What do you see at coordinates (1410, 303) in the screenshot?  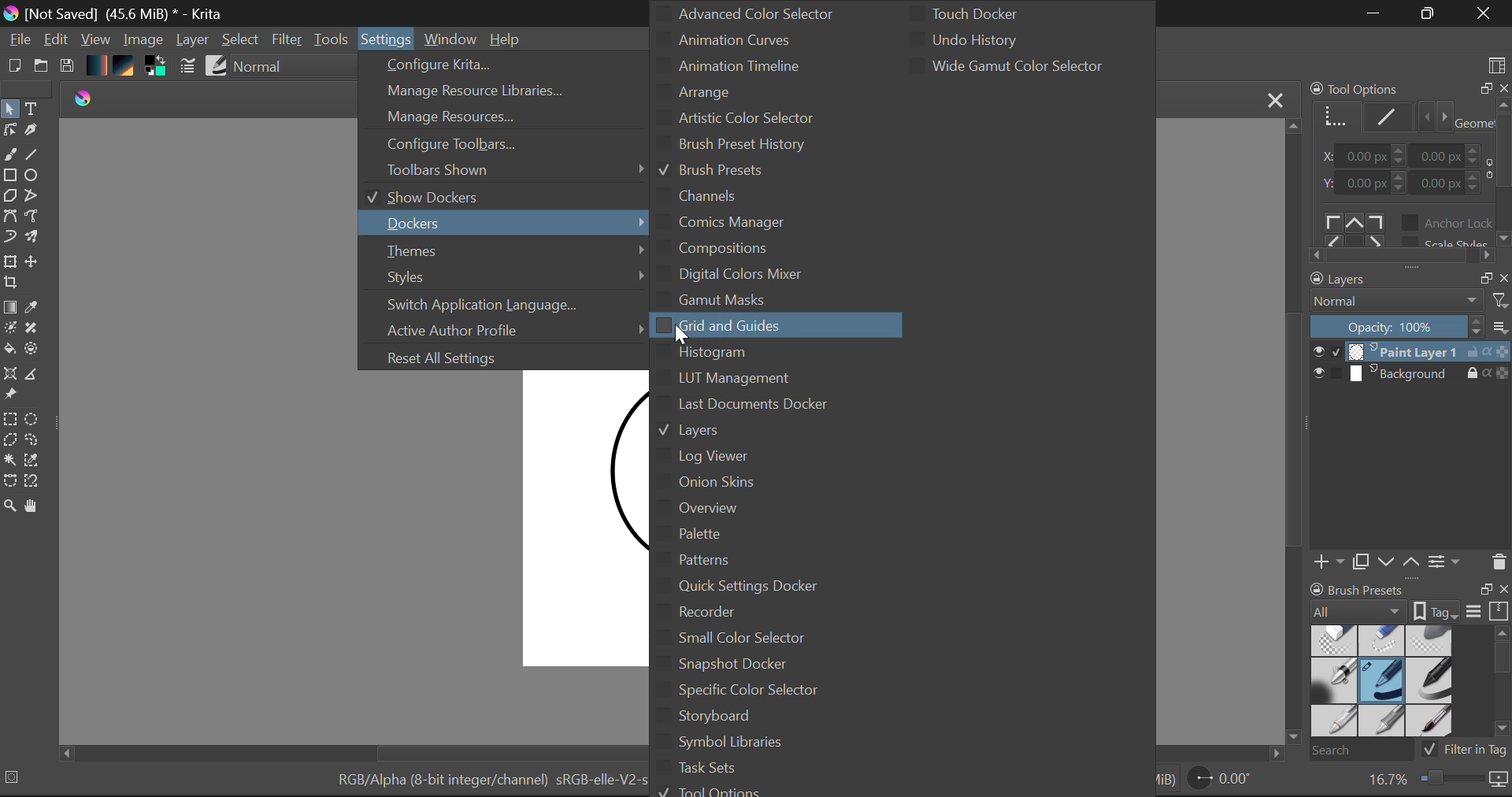 I see `Blending Mode` at bounding box center [1410, 303].